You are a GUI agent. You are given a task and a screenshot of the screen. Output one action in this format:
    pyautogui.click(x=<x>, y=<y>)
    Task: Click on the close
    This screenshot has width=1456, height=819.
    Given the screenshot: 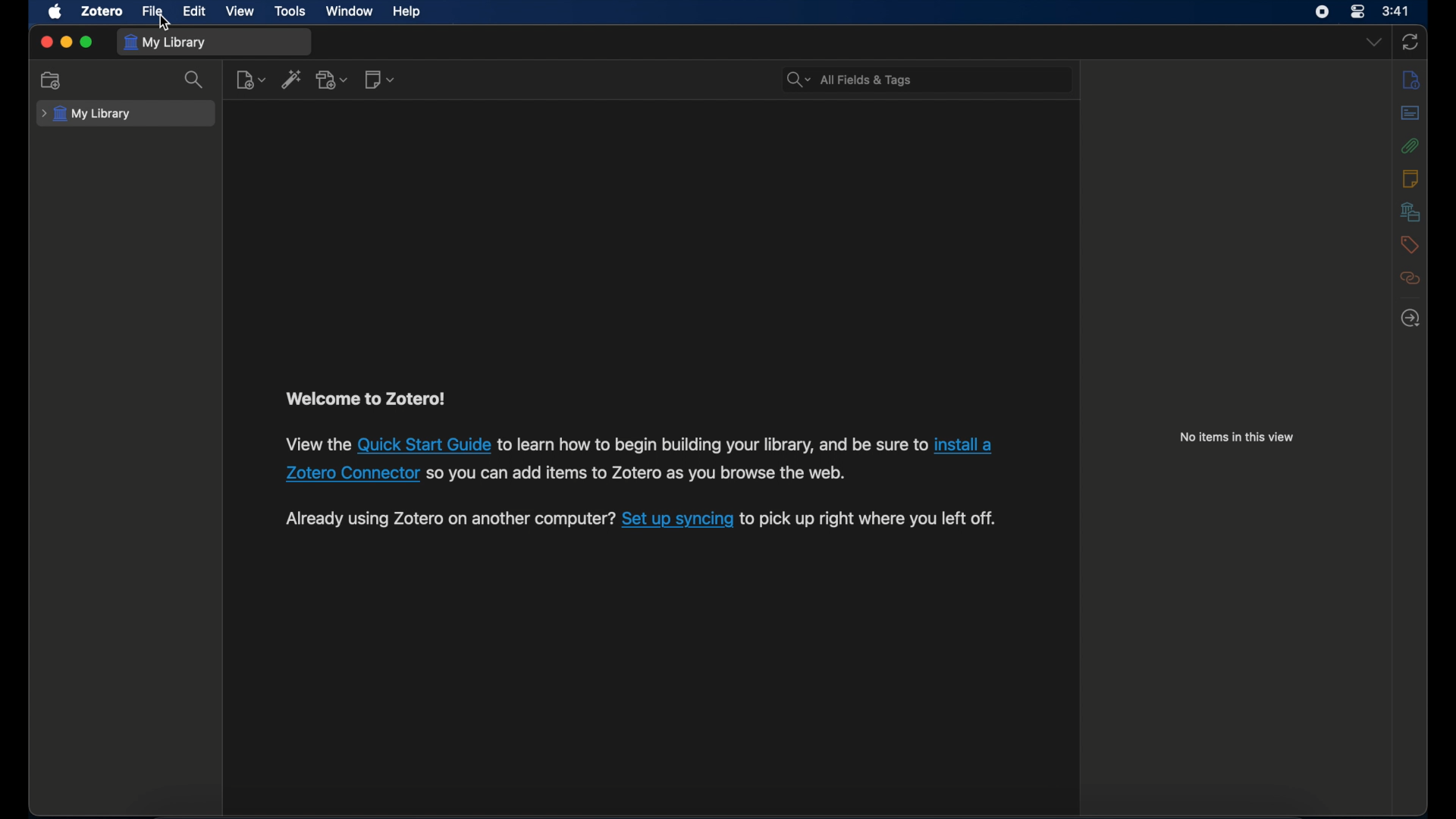 What is the action you would take?
    pyautogui.click(x=45, y=42)
    